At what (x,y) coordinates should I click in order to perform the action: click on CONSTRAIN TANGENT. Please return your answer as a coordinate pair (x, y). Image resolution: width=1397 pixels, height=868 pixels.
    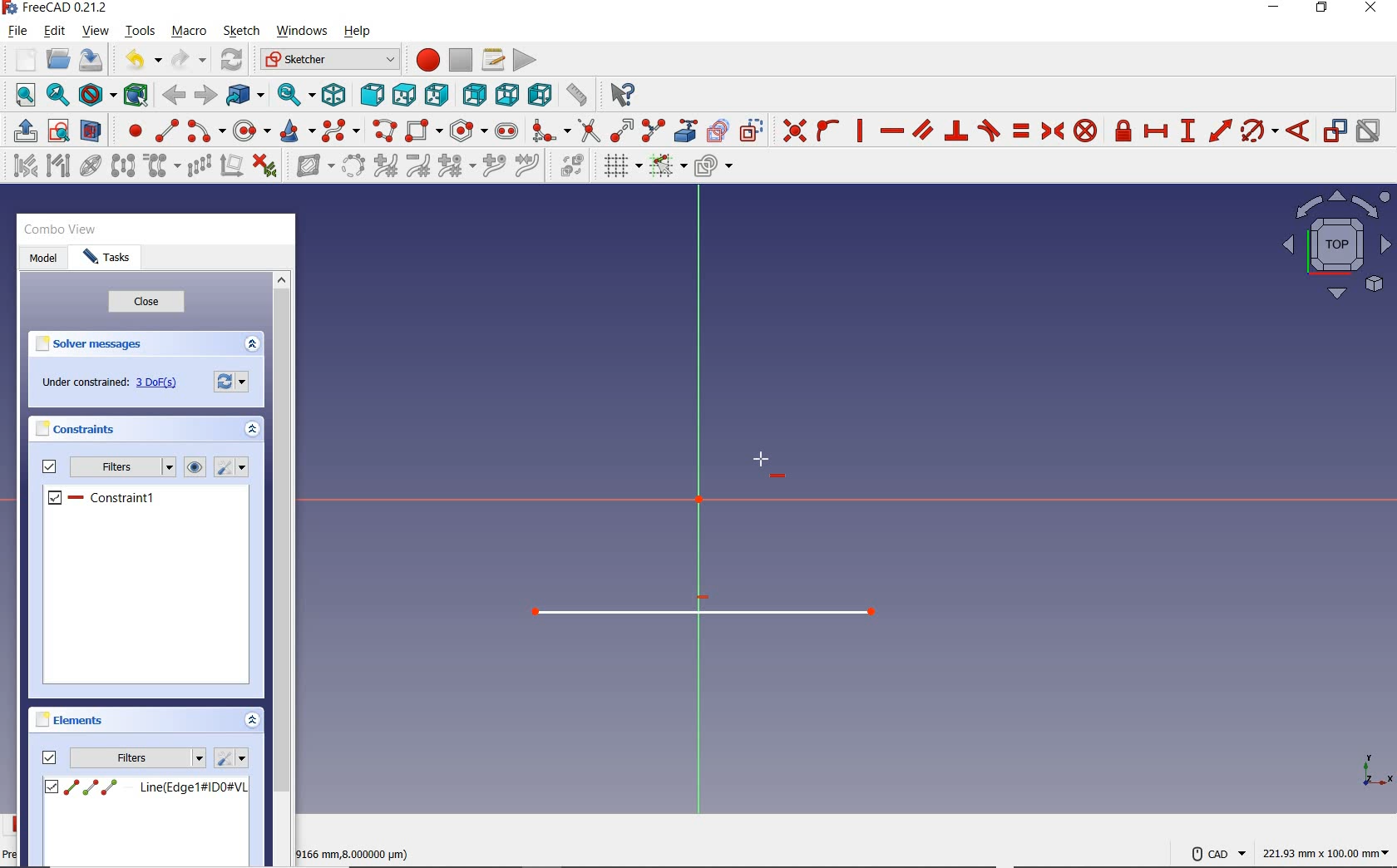
    Looking at the image, I should click on (989, 130).